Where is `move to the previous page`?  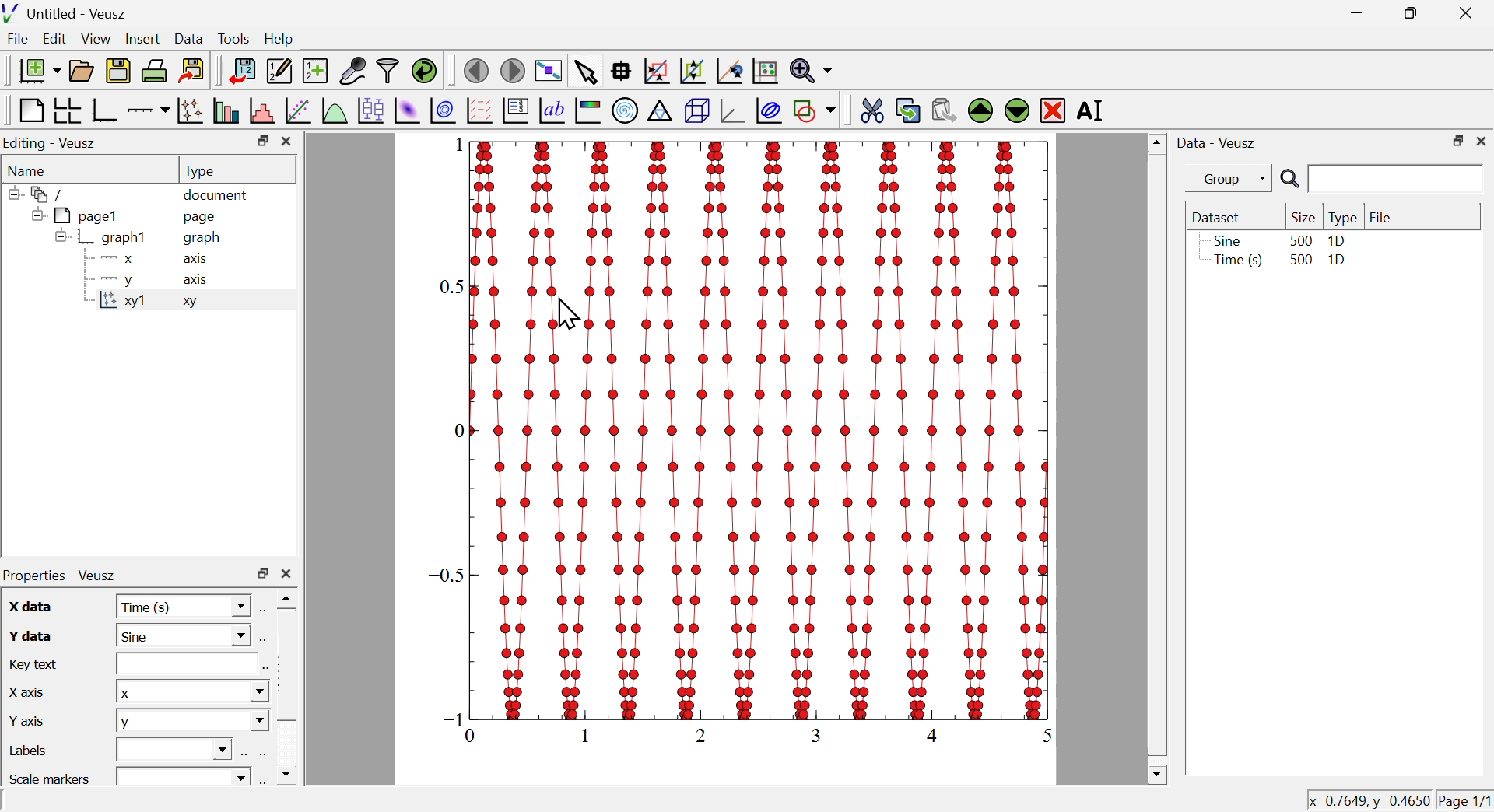 move to the previous page is located at coordinates (475, 69).